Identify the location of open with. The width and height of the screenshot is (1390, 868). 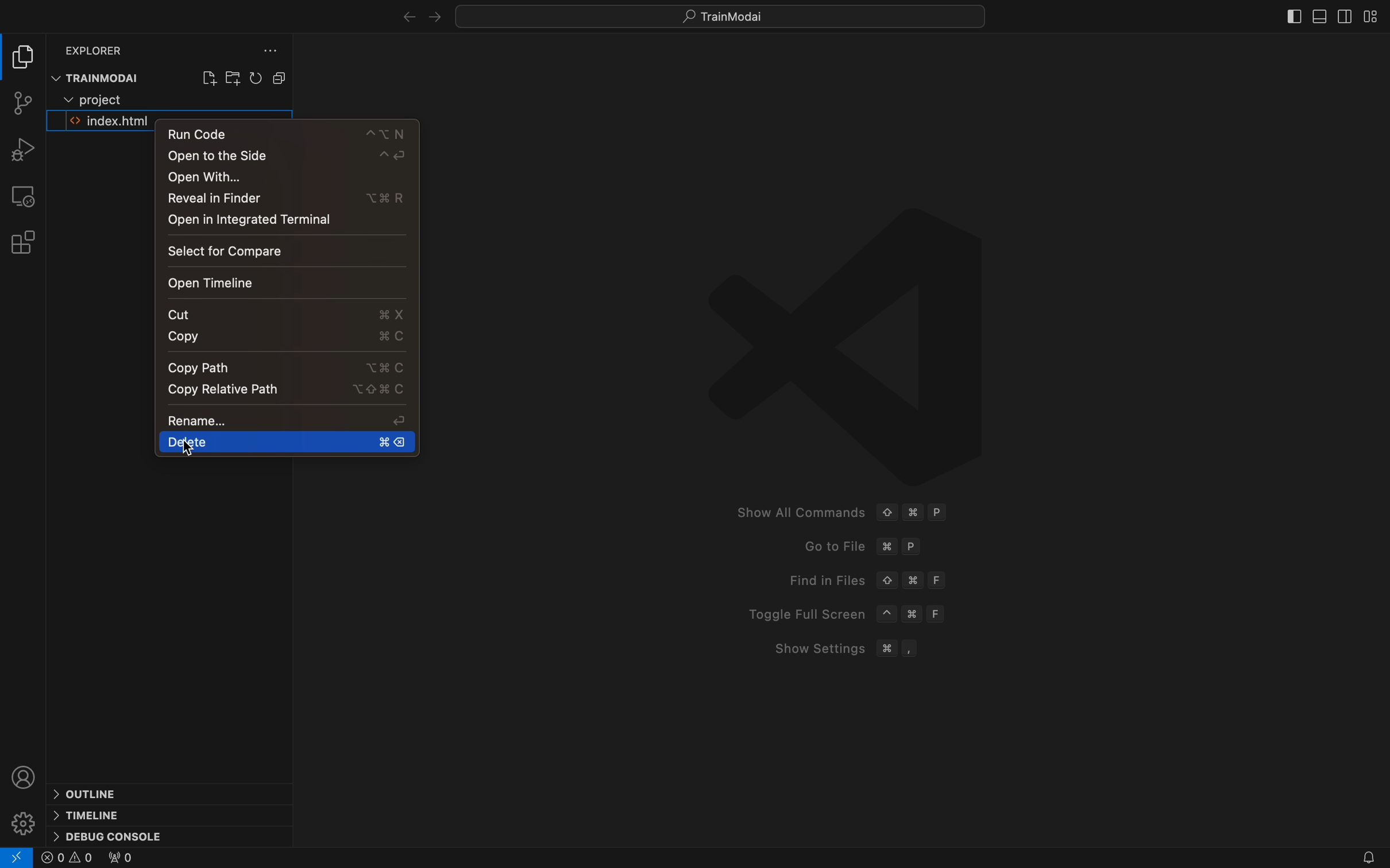
(222, 179).